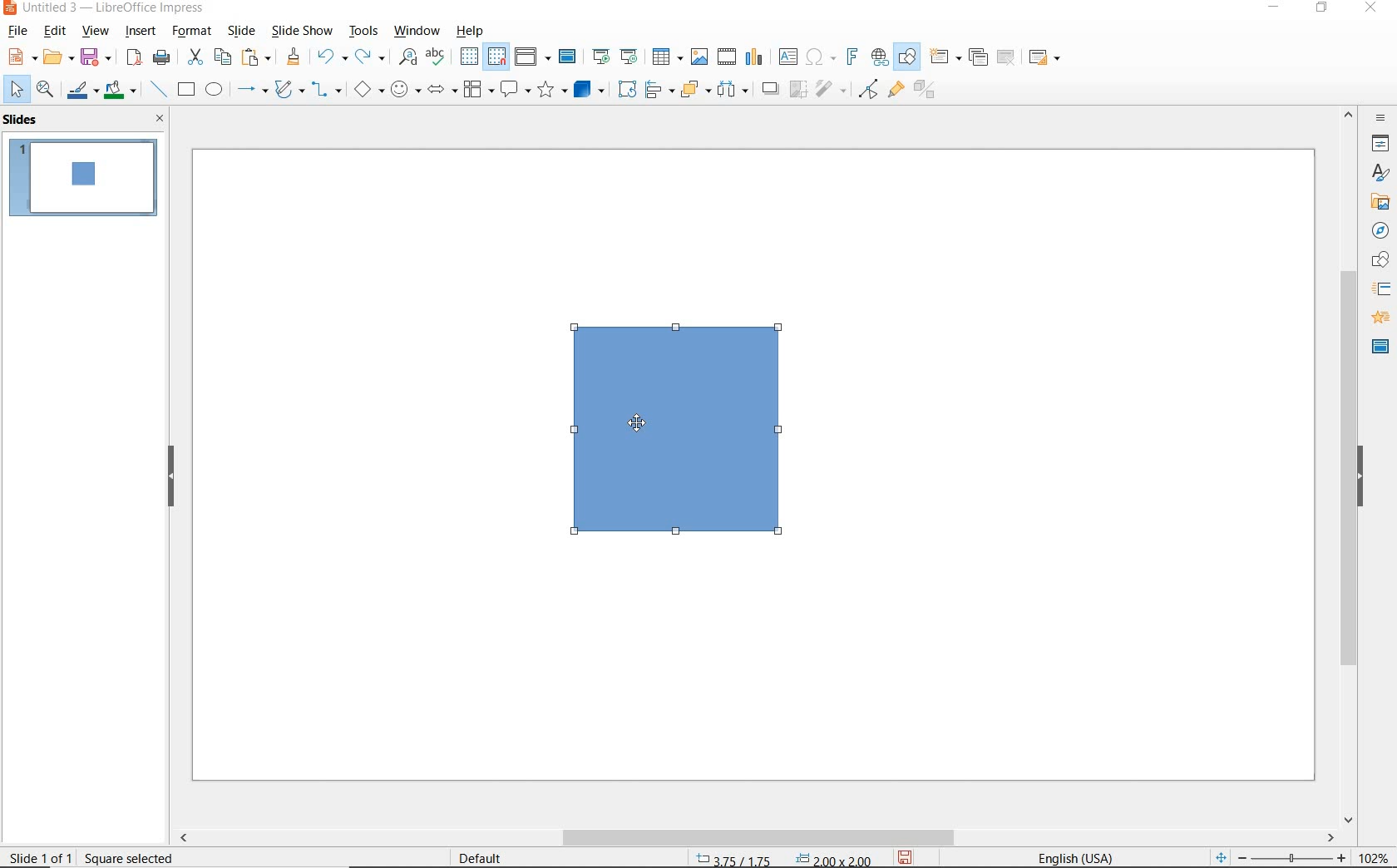 Image resolution: width=1397 pixels, height=868 pixels. What do you see at coordinates (251, 90) in the screenshot?
I see `lines and arrows` at bounding box center [251, 90].